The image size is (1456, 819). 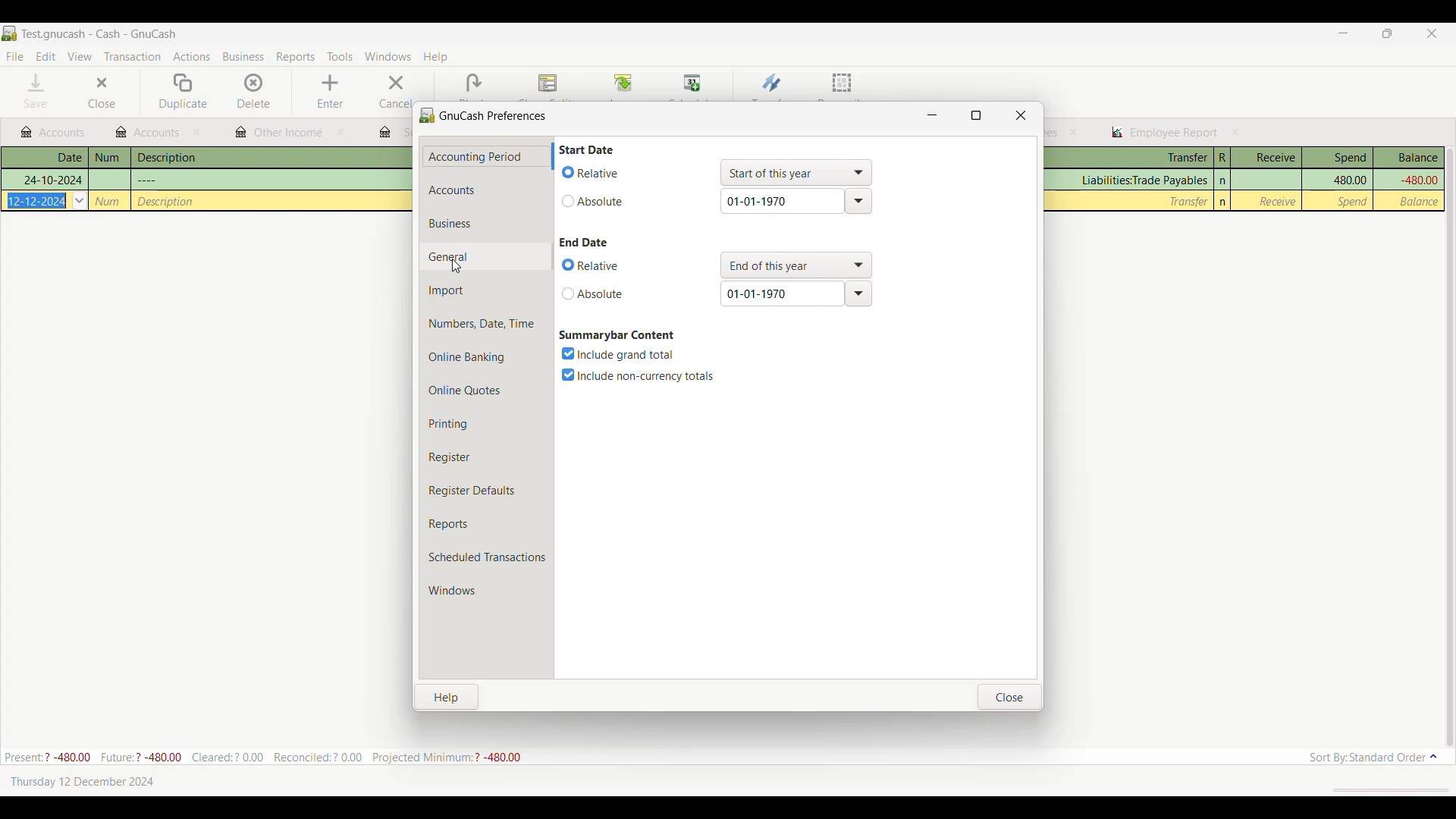 I want to click on Tools menu, so click(x=340, y=56).